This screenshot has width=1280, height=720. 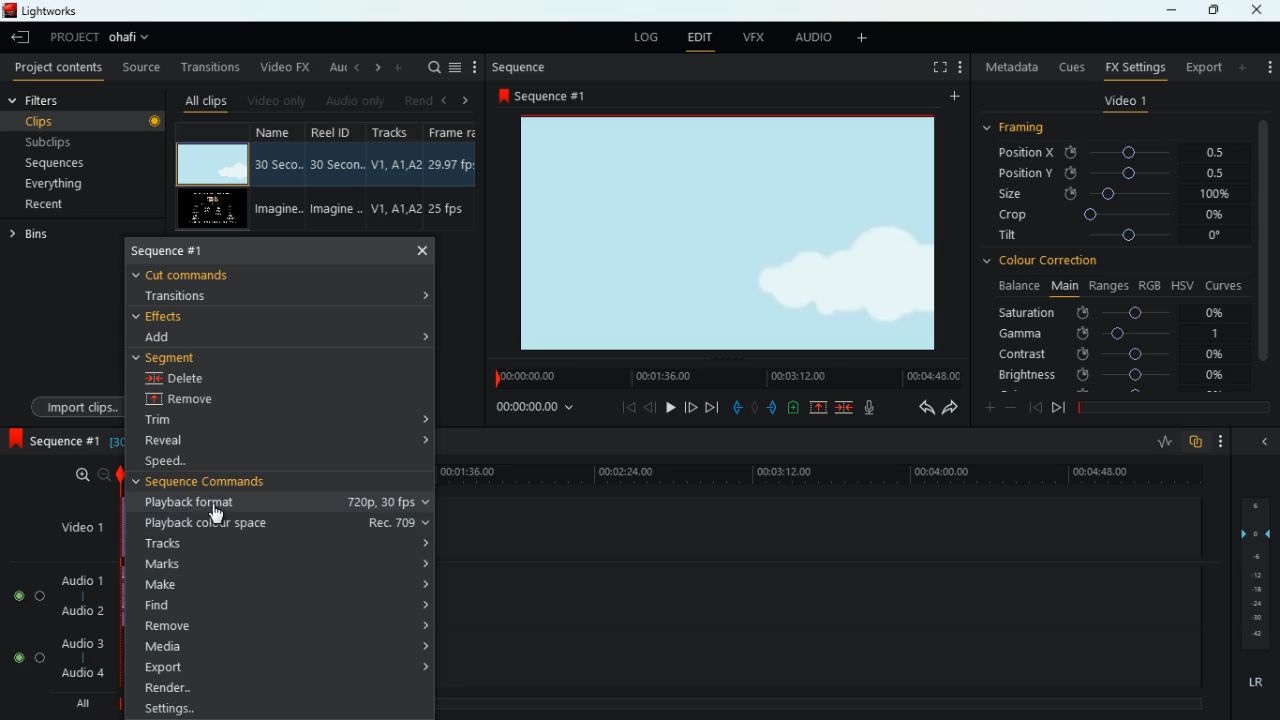 What do you see at coordinates (773, 408) in the screenshot?
I see `push` at bounding box center [773, 408].